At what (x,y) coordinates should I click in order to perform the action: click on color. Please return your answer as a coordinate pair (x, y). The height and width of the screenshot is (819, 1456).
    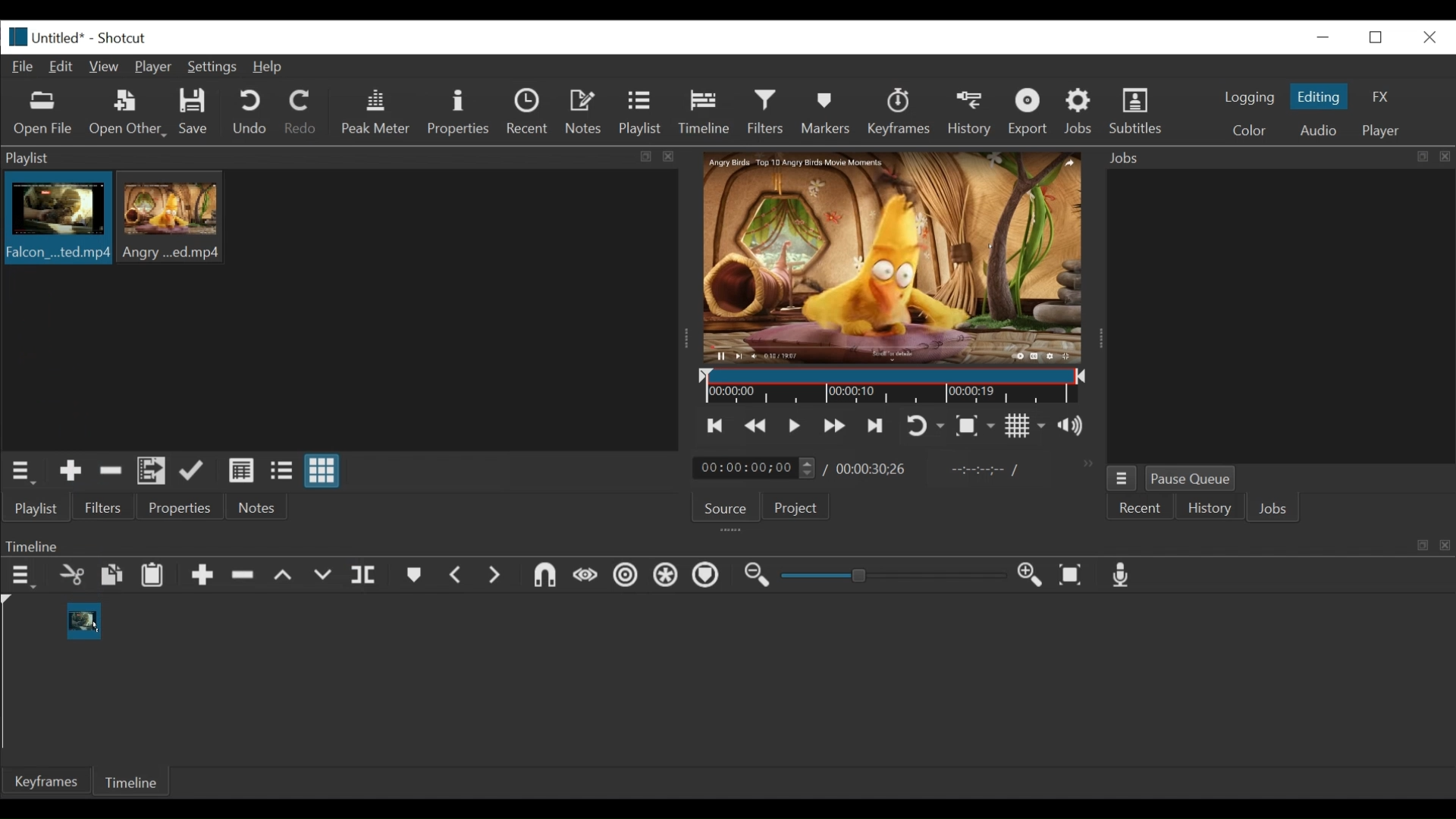
    Looking at the image, I should click on (1248, 132).